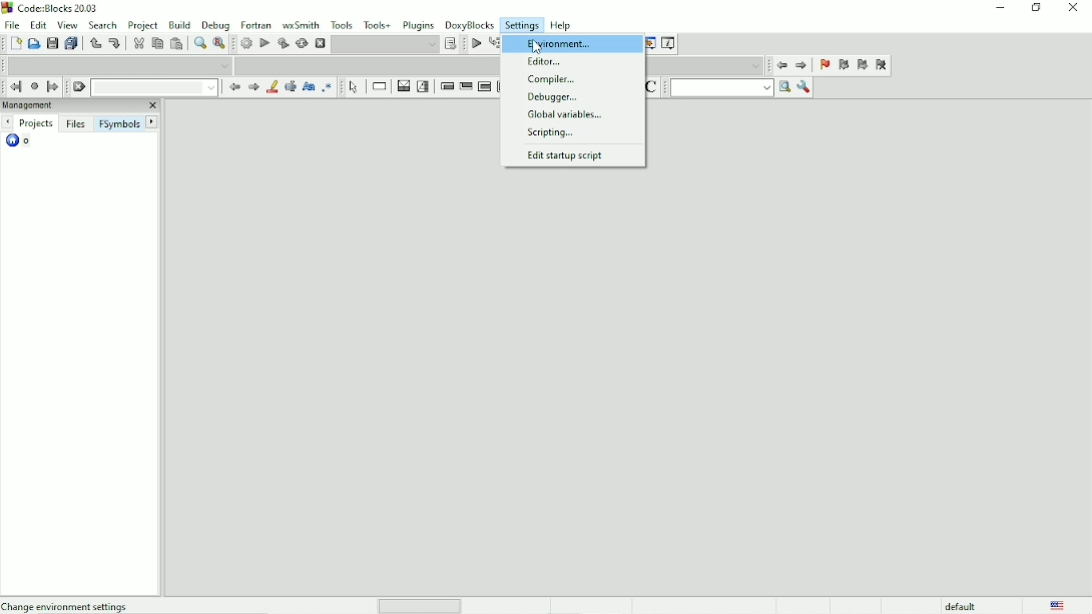 The width and height of the screenshot is (1092, 614). I want to click on Edit, so click(38, 25).